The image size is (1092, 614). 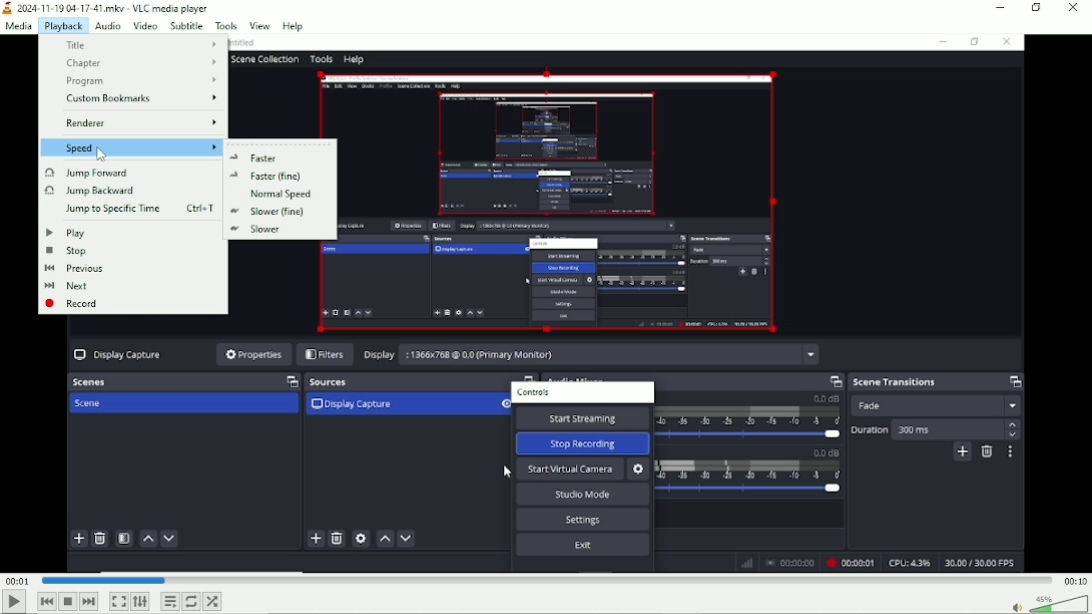 I want to click on previous, so click(x=128, y=268).